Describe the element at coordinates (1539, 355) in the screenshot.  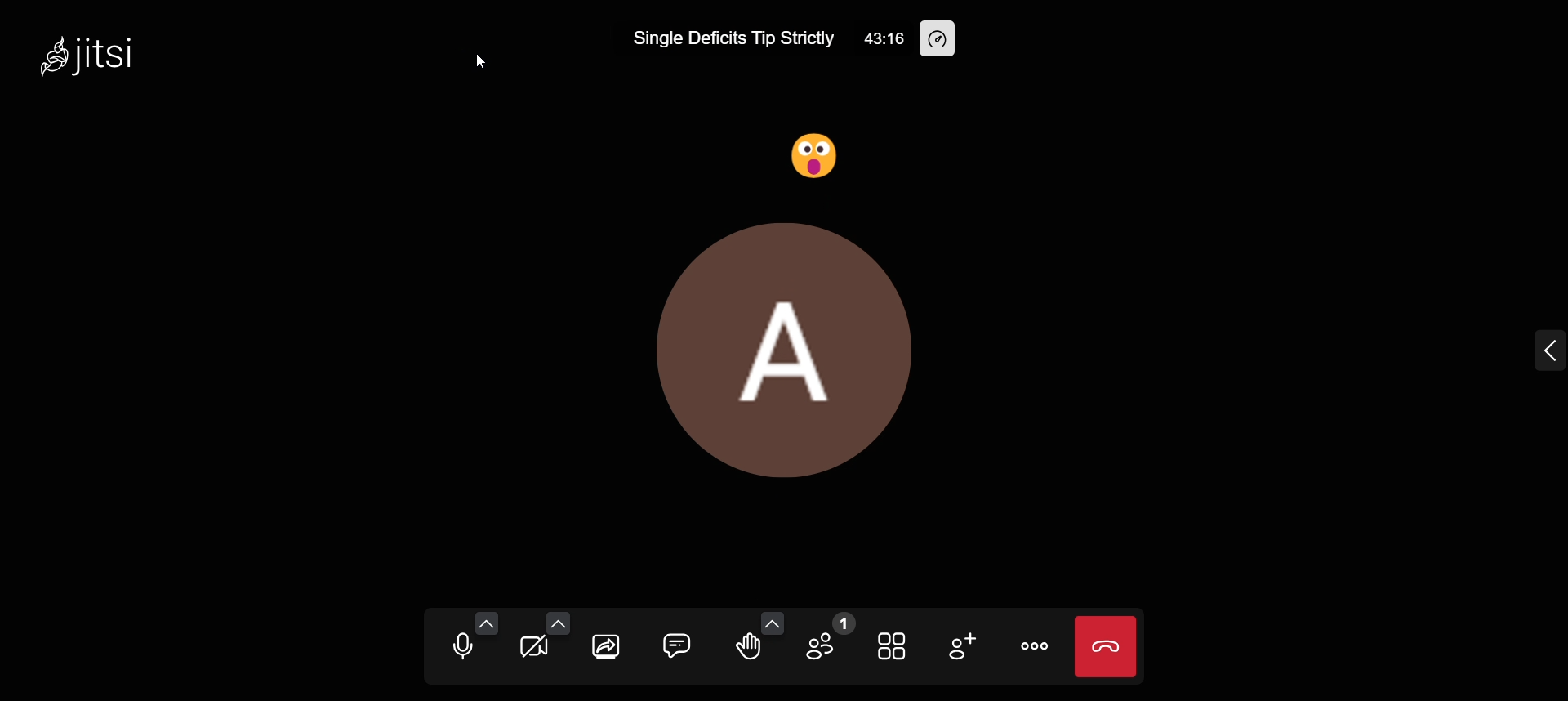
I see `expand` at that location.